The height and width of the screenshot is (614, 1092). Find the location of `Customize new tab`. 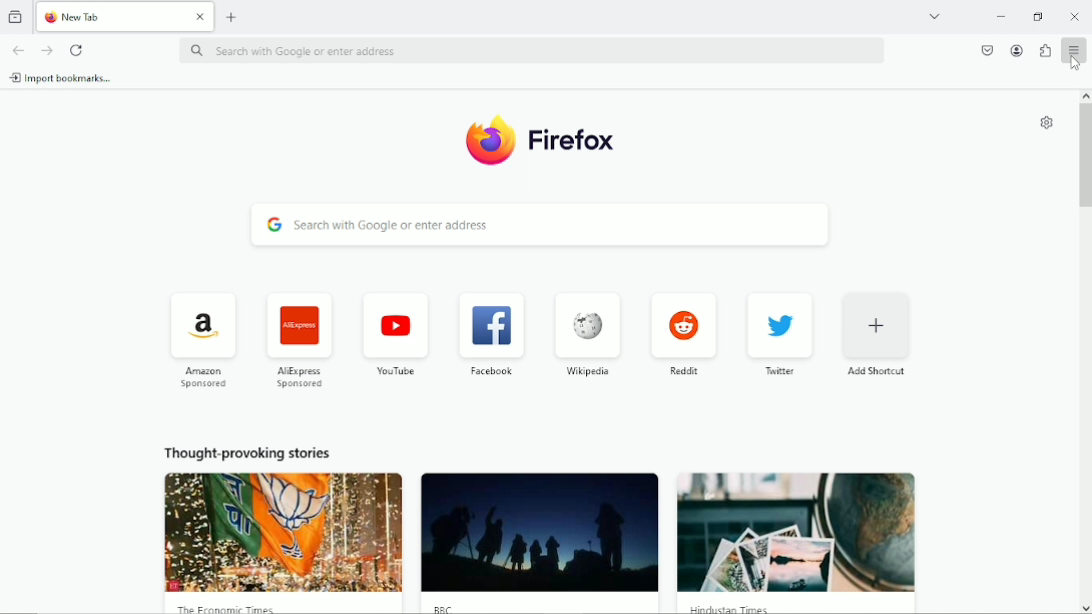

Customize new tab is located at coordinates (1047, 122).